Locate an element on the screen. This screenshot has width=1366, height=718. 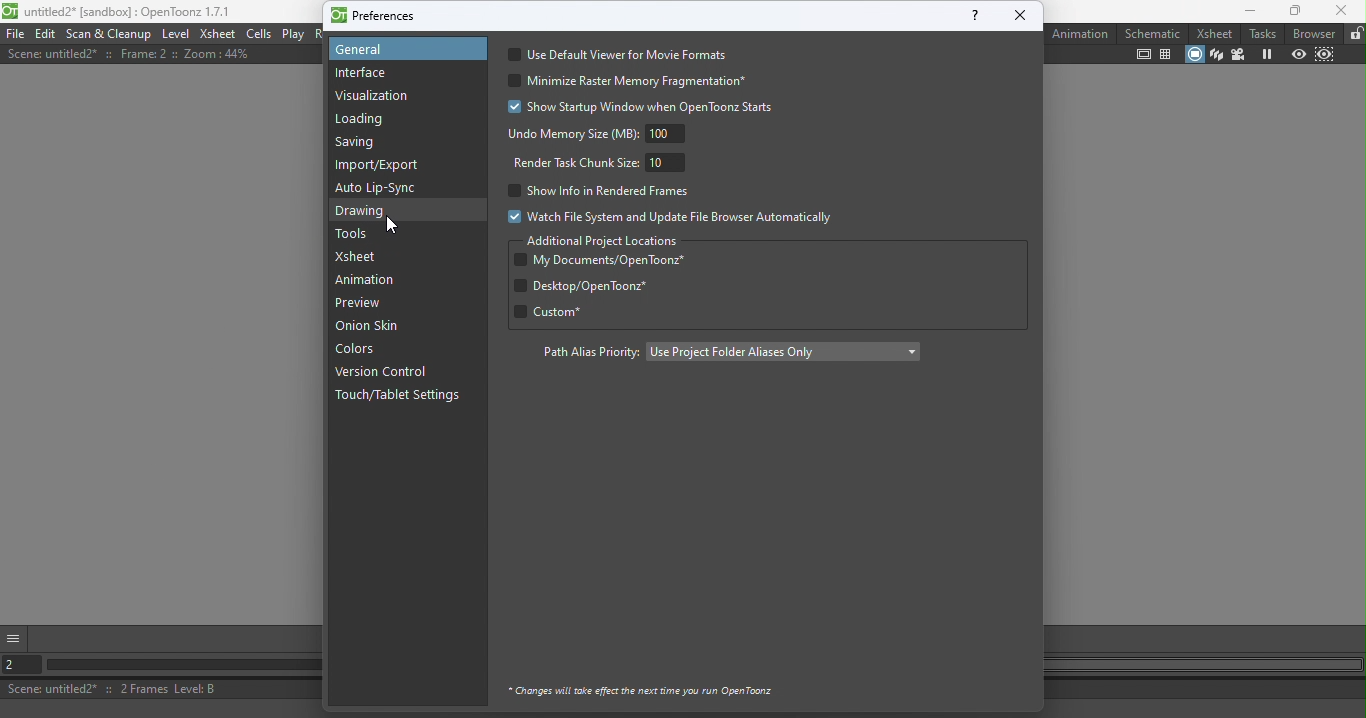
Drawing is located at coordinates (367, 211).